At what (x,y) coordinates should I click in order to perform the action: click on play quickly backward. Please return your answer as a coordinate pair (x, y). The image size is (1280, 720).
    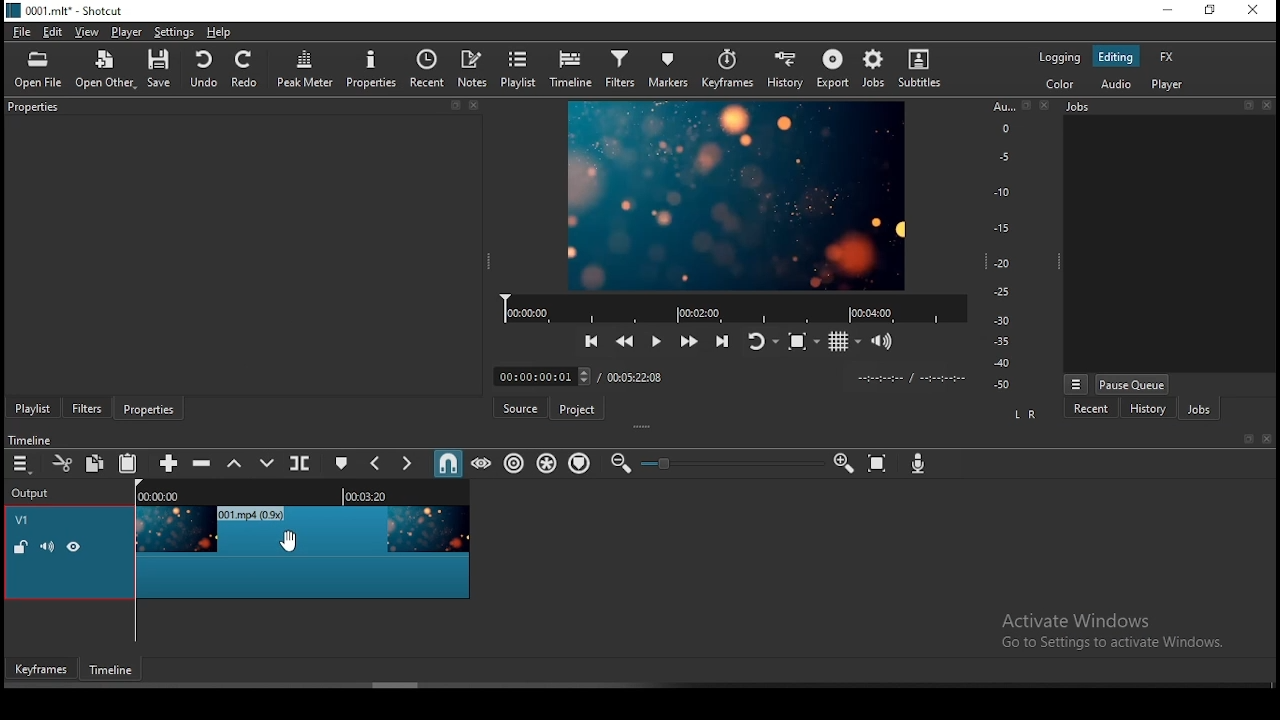
    Looking at the image, I should click on (627, 339).